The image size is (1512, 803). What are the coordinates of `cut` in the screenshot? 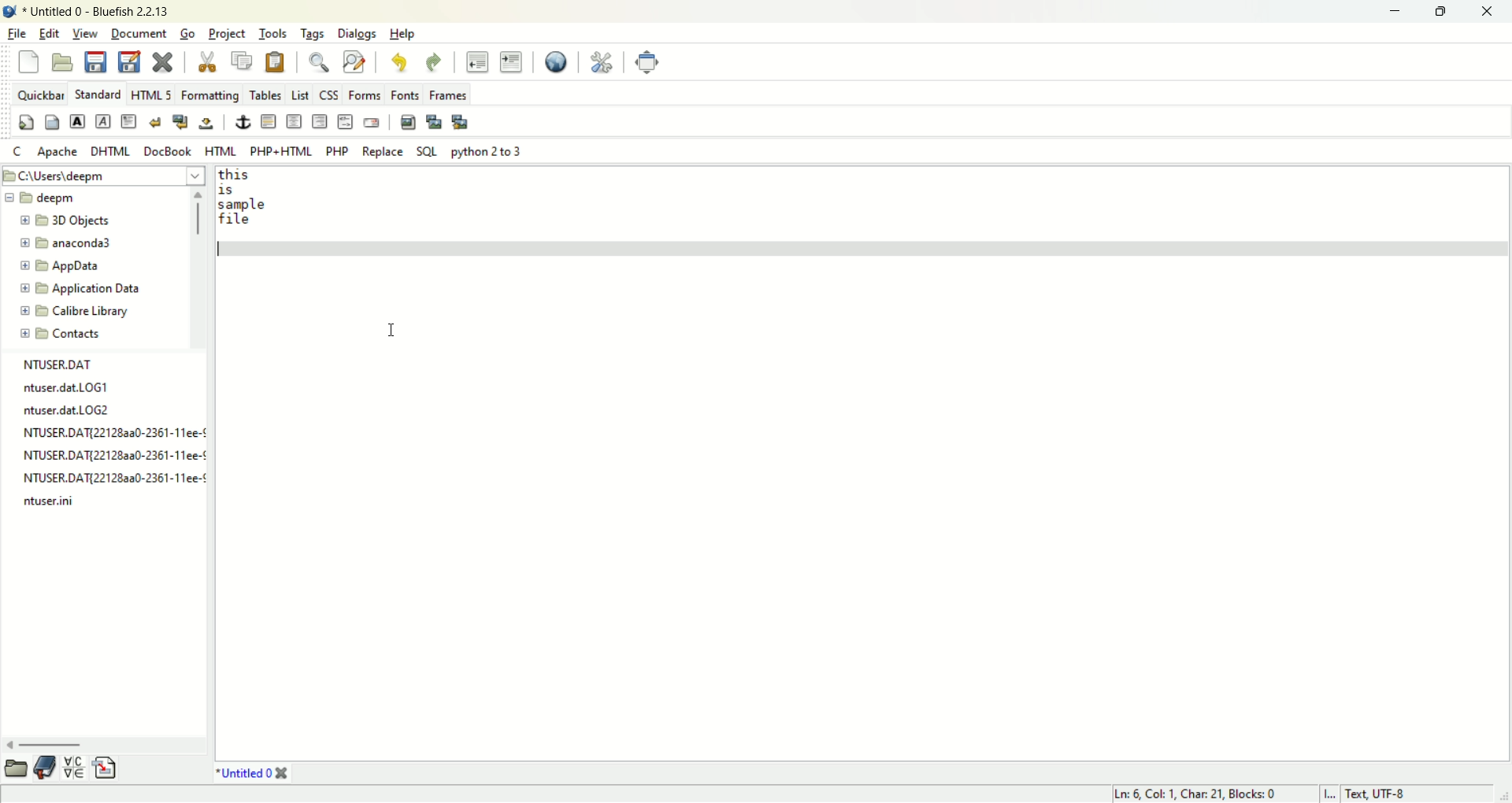 It's located at (212, 61).